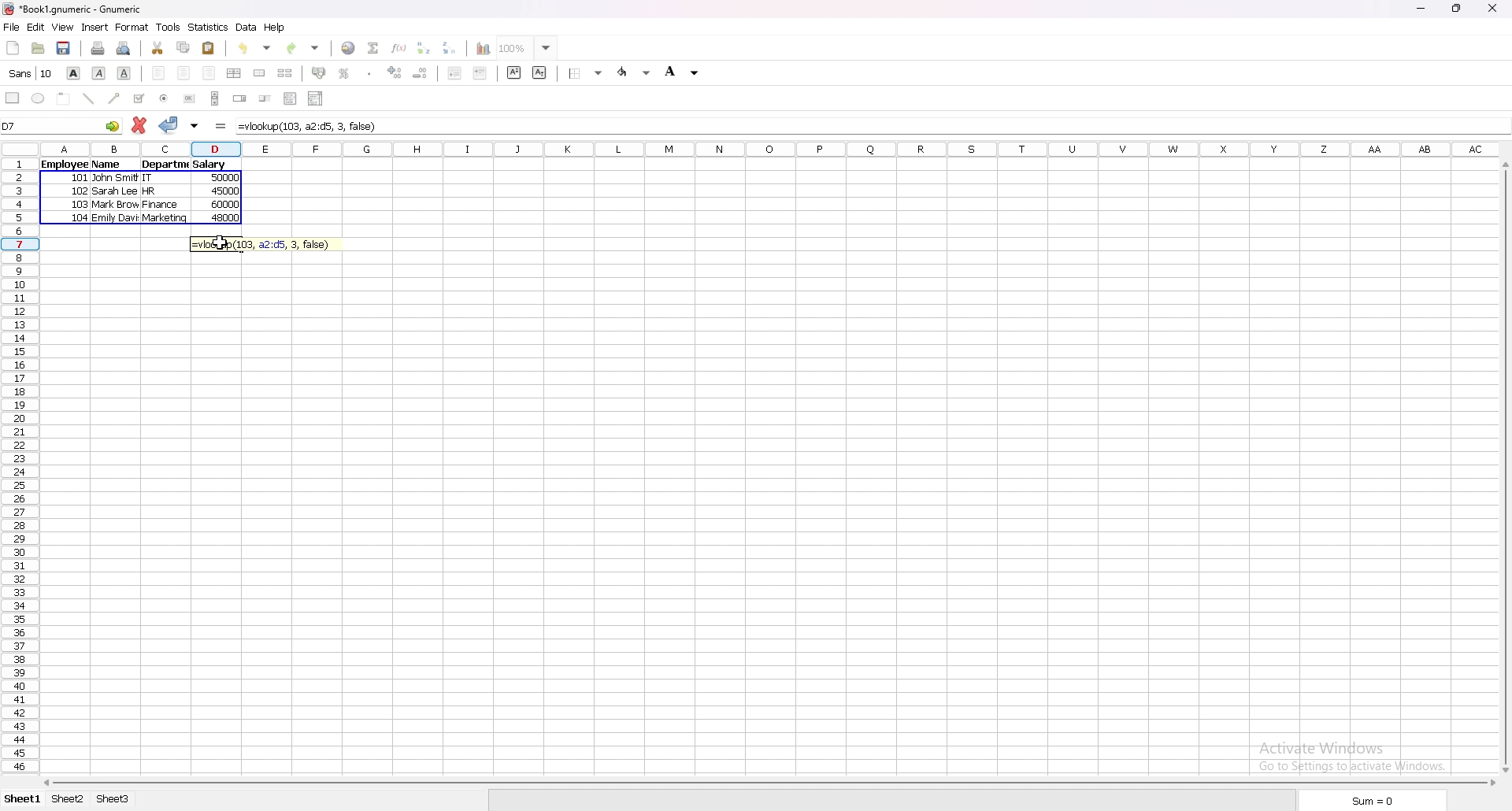  What do you see at coordinates (80, 193) in the screenshot?
I see `102` at bounding box center [80, 193].